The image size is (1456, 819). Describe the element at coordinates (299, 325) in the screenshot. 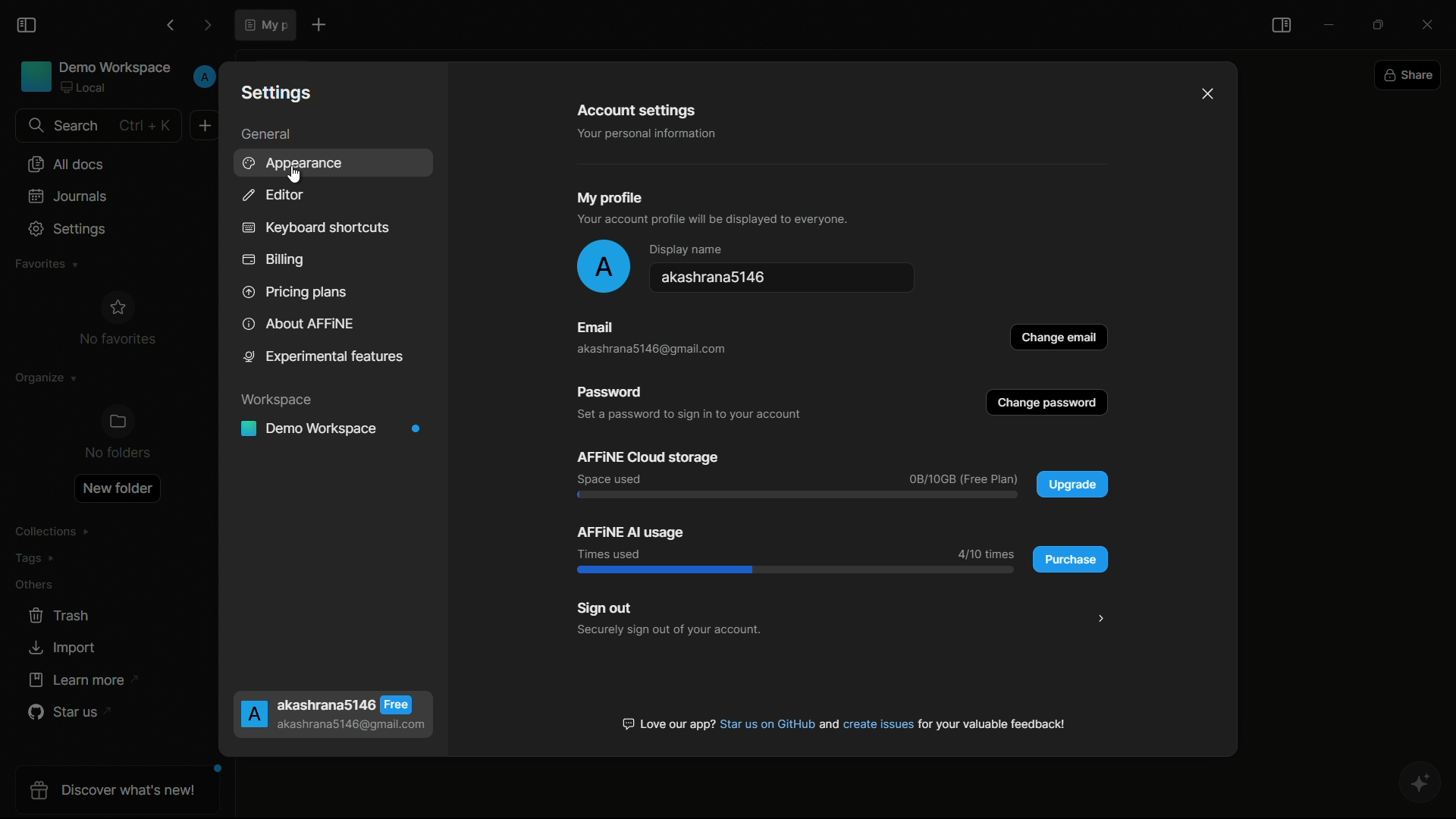

I see `about affine` at that location.